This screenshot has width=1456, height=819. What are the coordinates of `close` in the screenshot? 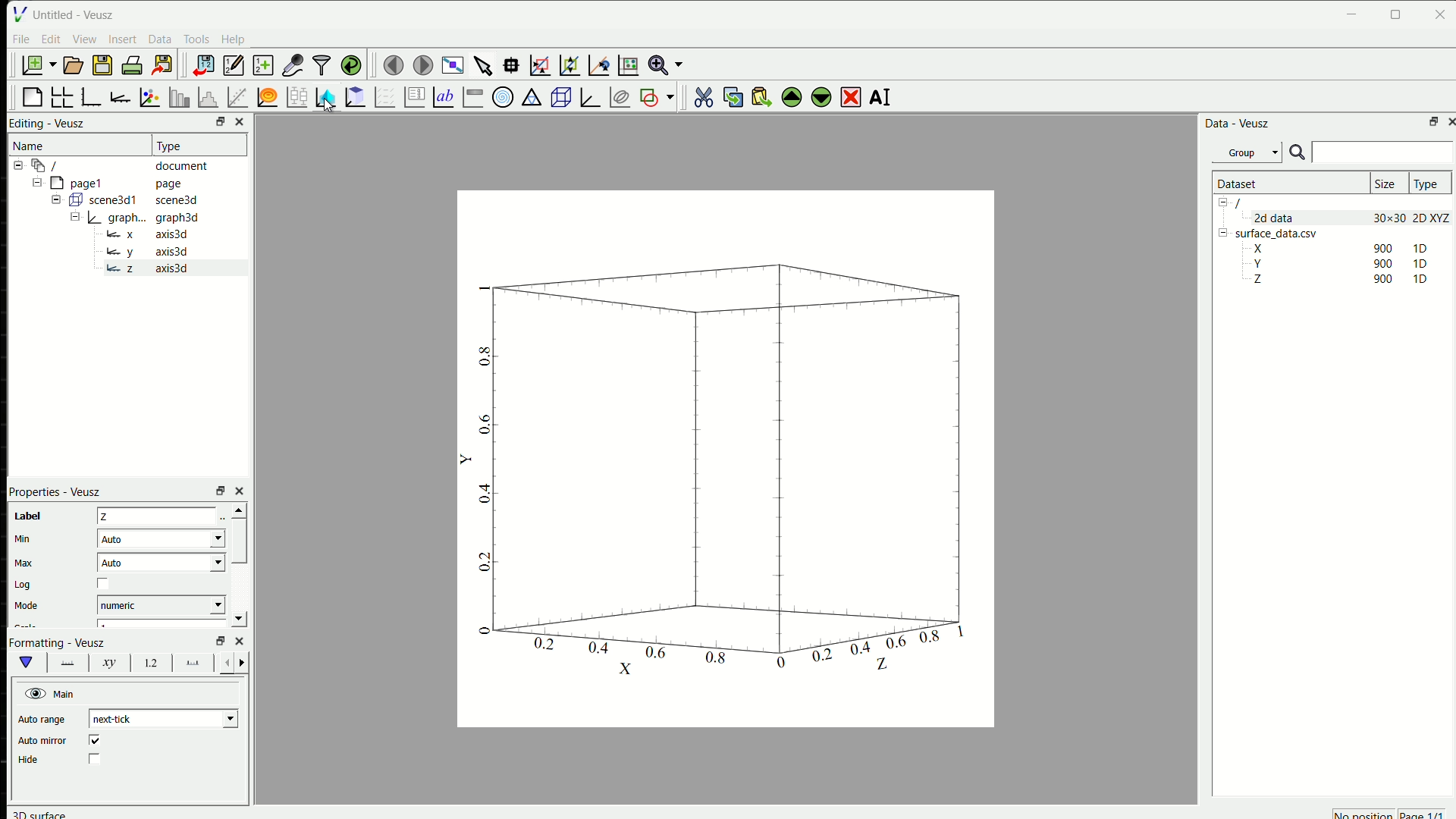 It's located at (1451, 120).